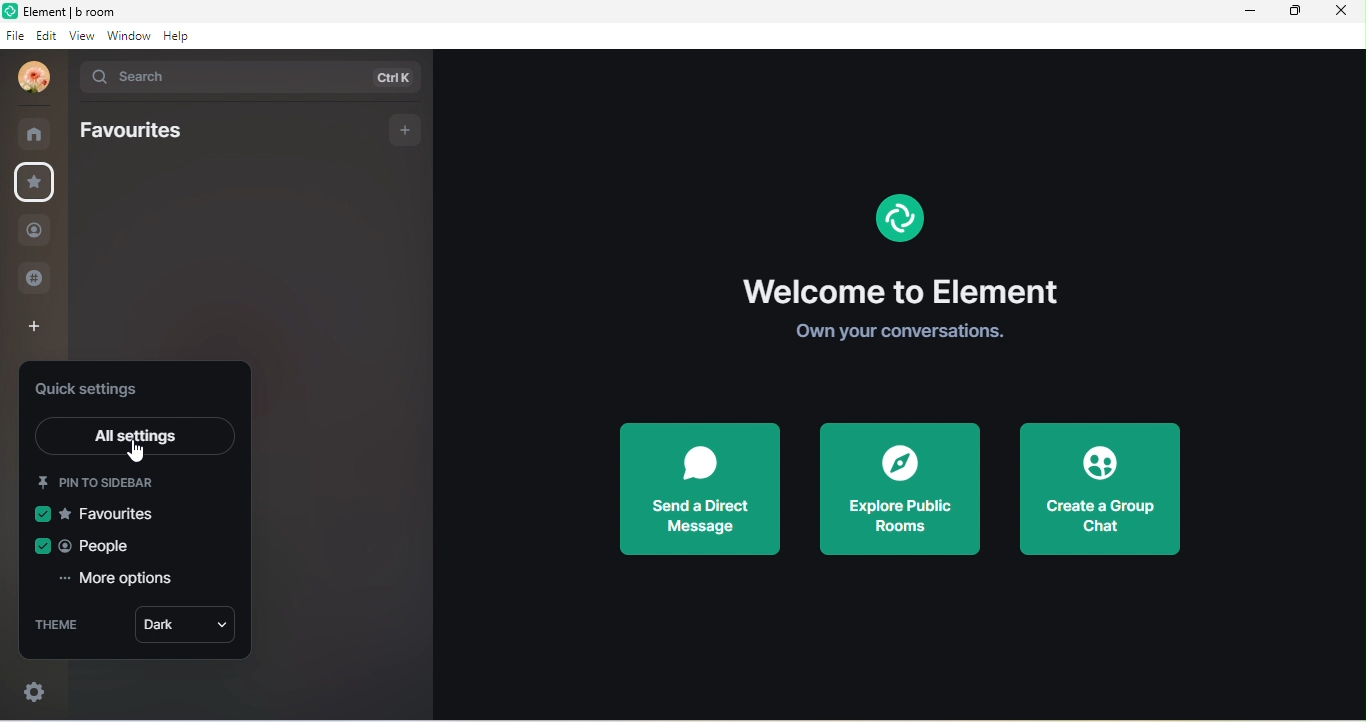 The image size is (1366, 722). What do you see at coordinates (14, 36) in the screenshot?
I see `file` at bounding box center [14, 36].